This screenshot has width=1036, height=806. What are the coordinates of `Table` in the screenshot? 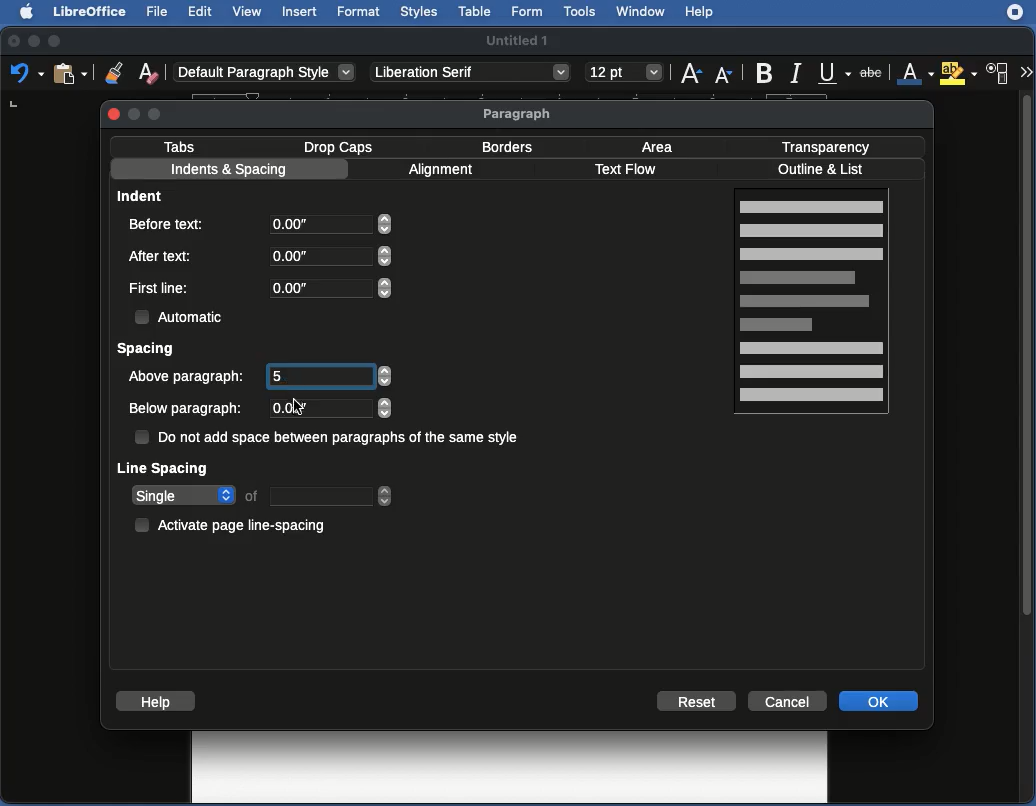 It's located at (475, 12).